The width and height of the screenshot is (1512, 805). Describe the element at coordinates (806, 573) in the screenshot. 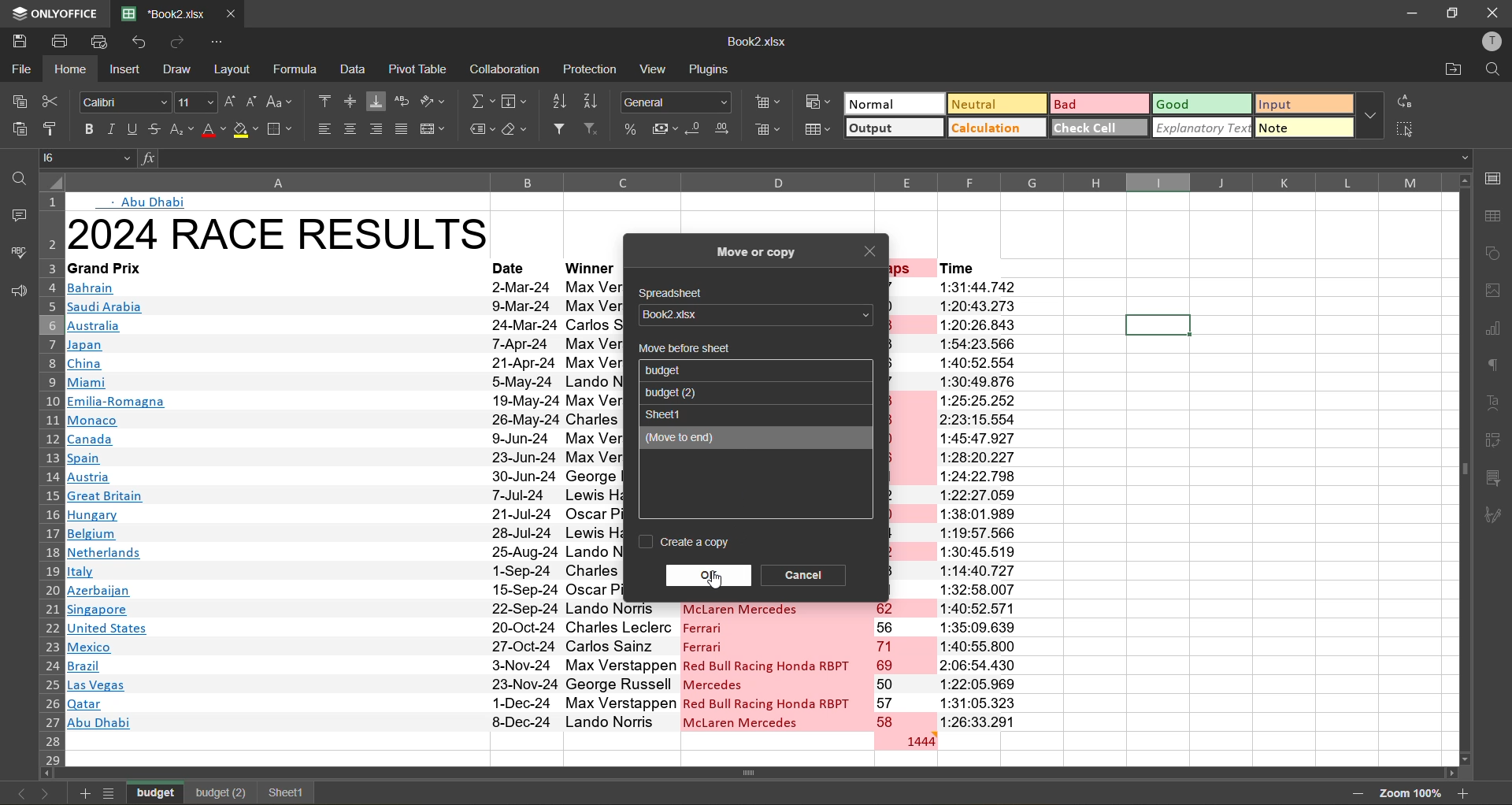

I see `cancel` at that location.